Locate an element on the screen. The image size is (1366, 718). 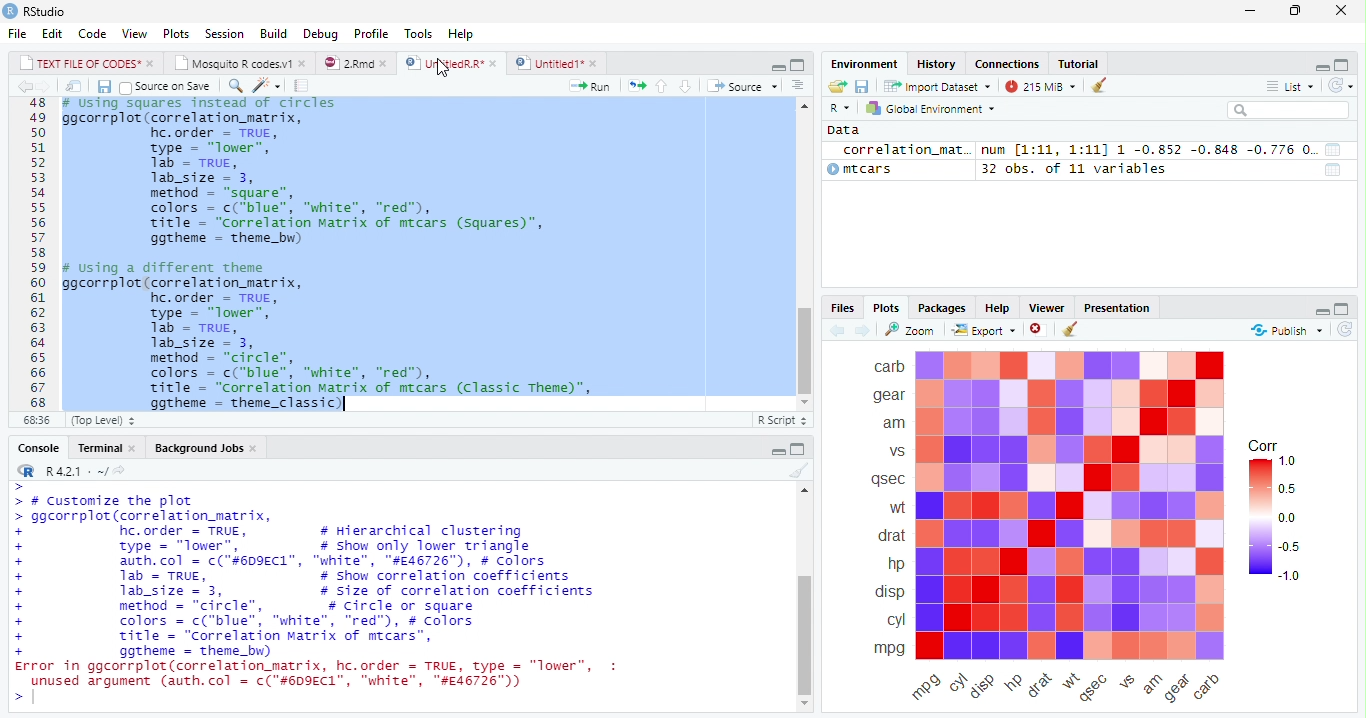
File is located at coordinates (15, 35).